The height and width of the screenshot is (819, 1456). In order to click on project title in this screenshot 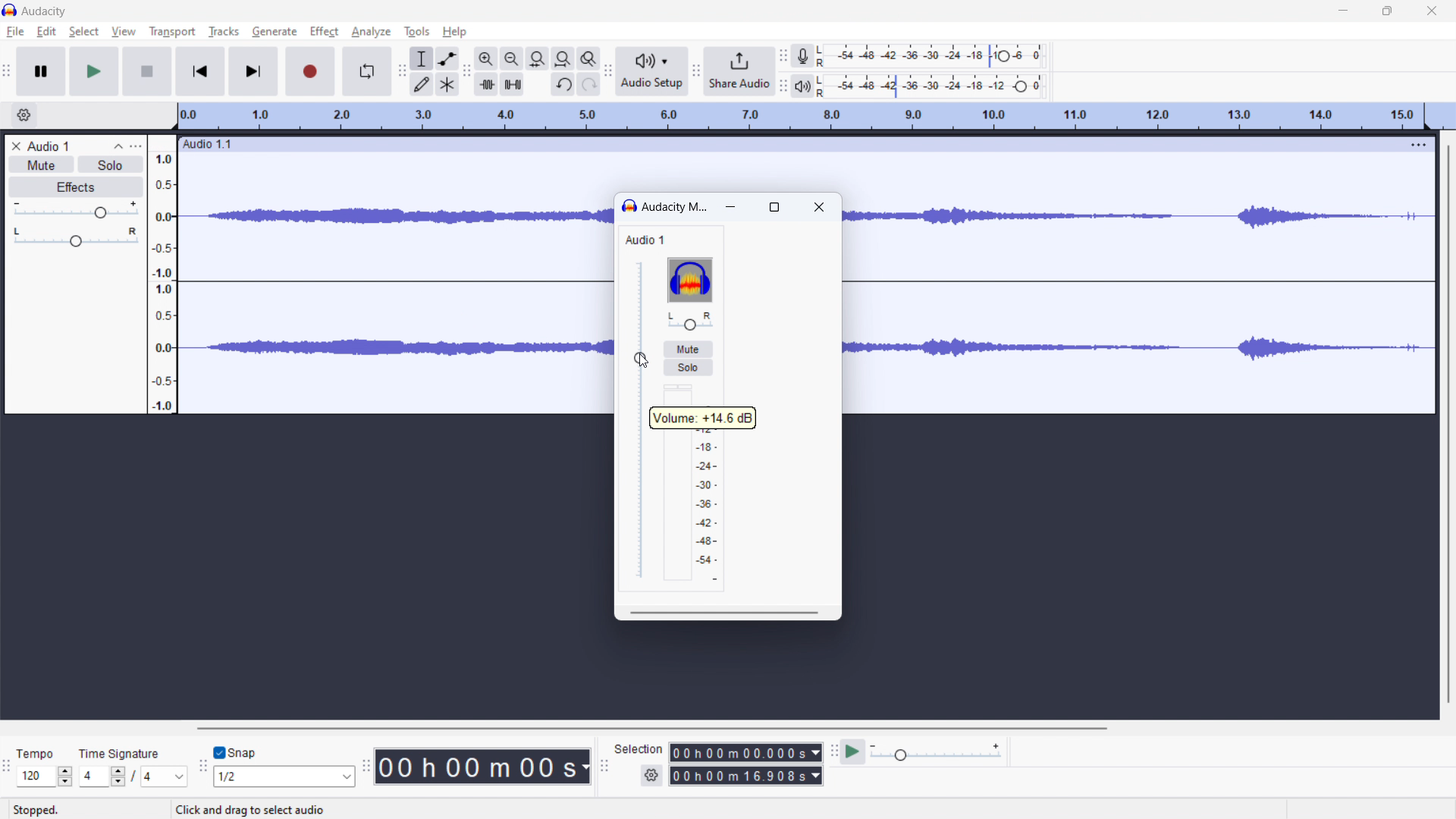, I will do `click(49, 146)`.